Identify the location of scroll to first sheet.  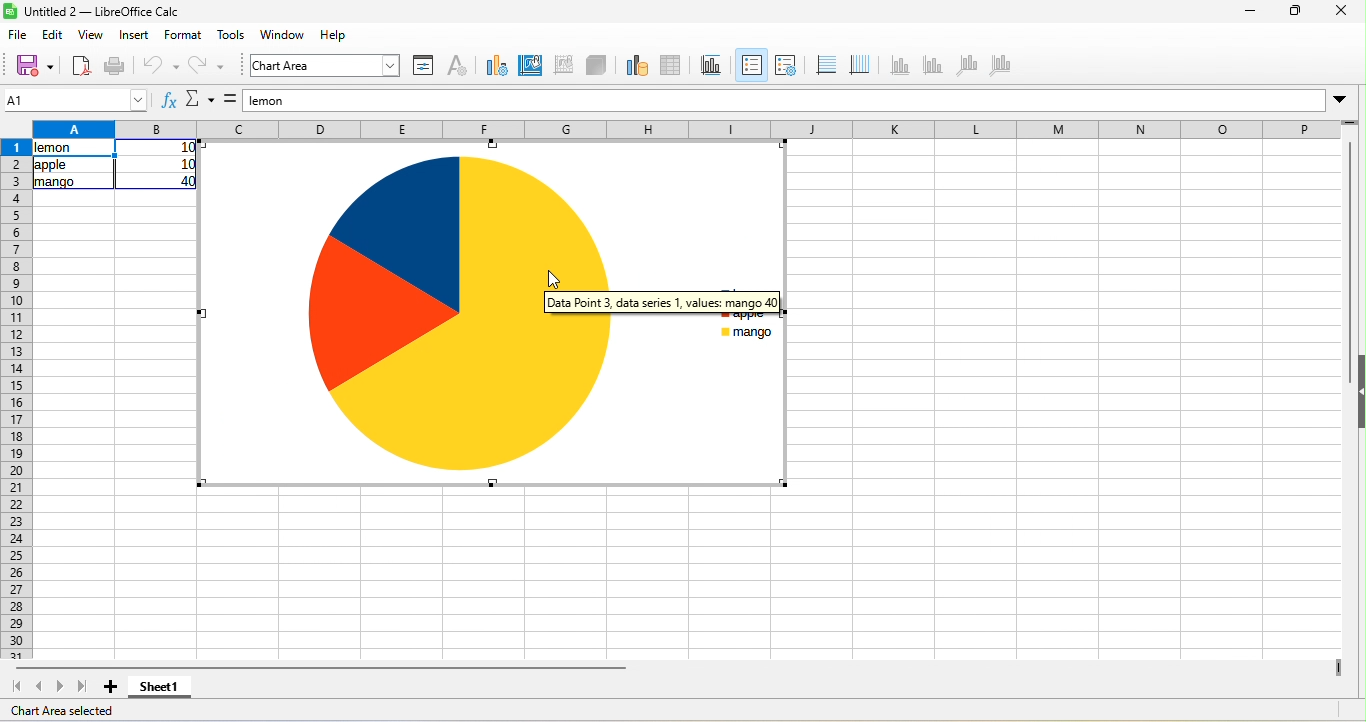
(18, 687).